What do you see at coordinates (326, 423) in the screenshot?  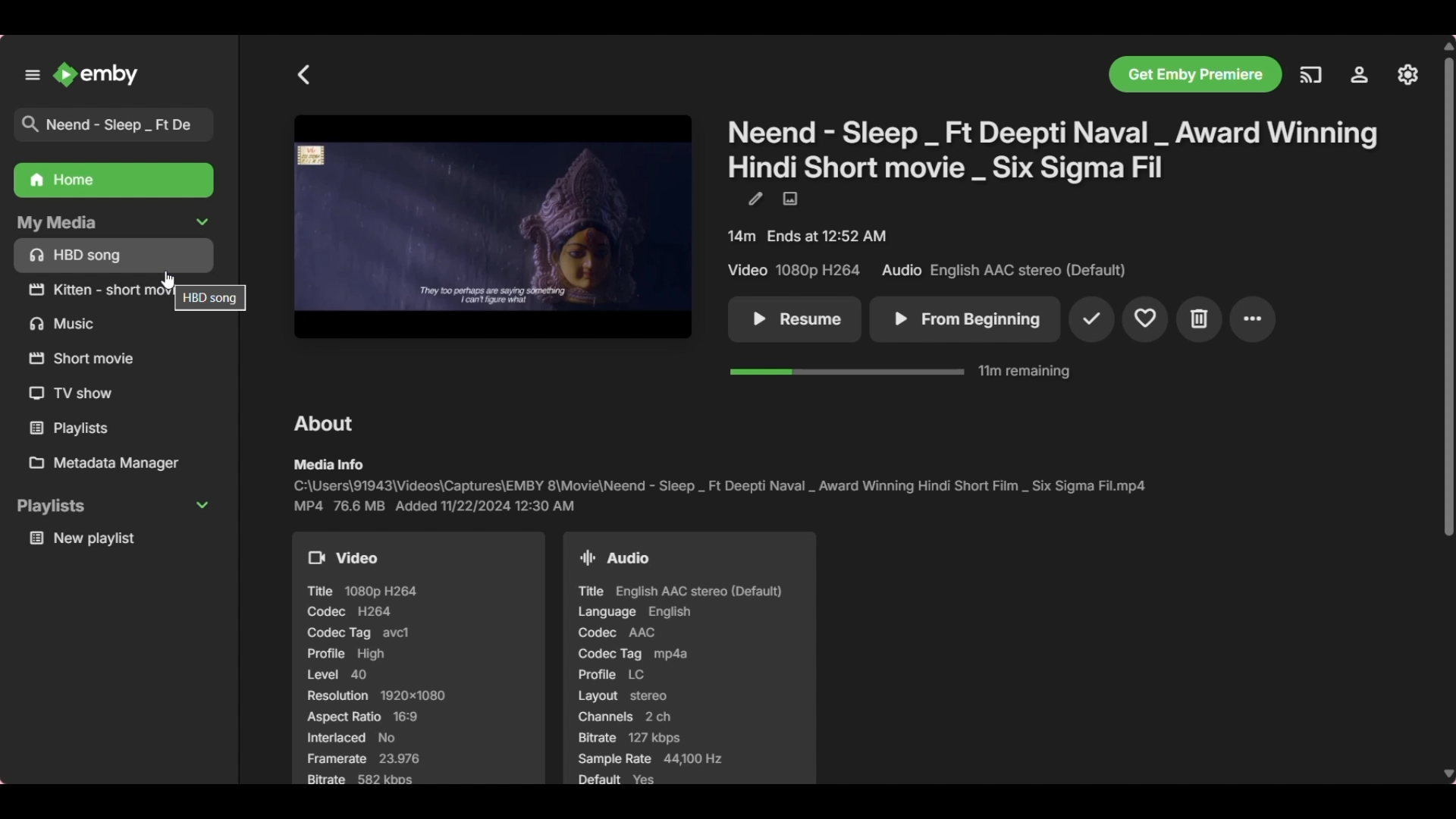 I see `Title of section` at bounding box center [326, 423].